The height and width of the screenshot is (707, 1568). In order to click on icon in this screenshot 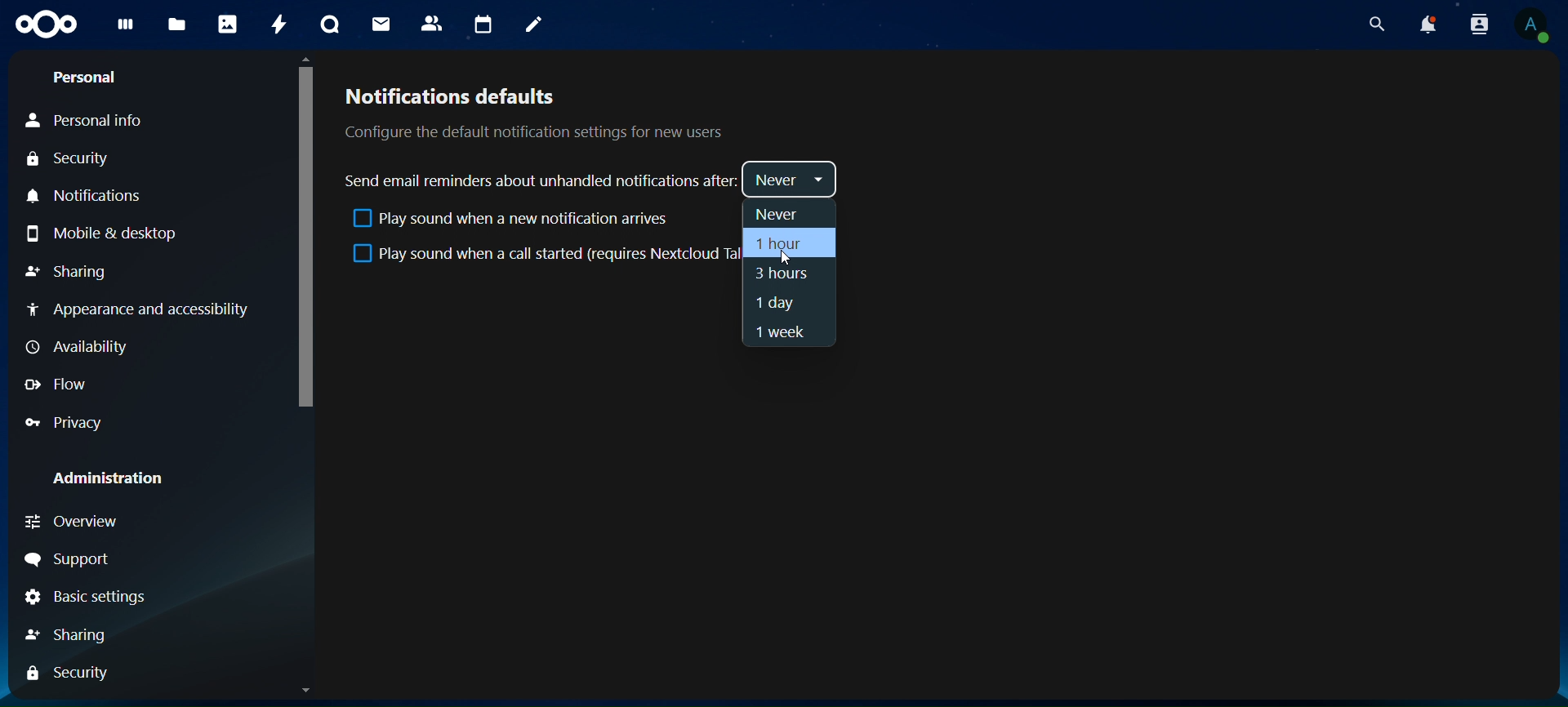, I will do `click(48, 24)`.